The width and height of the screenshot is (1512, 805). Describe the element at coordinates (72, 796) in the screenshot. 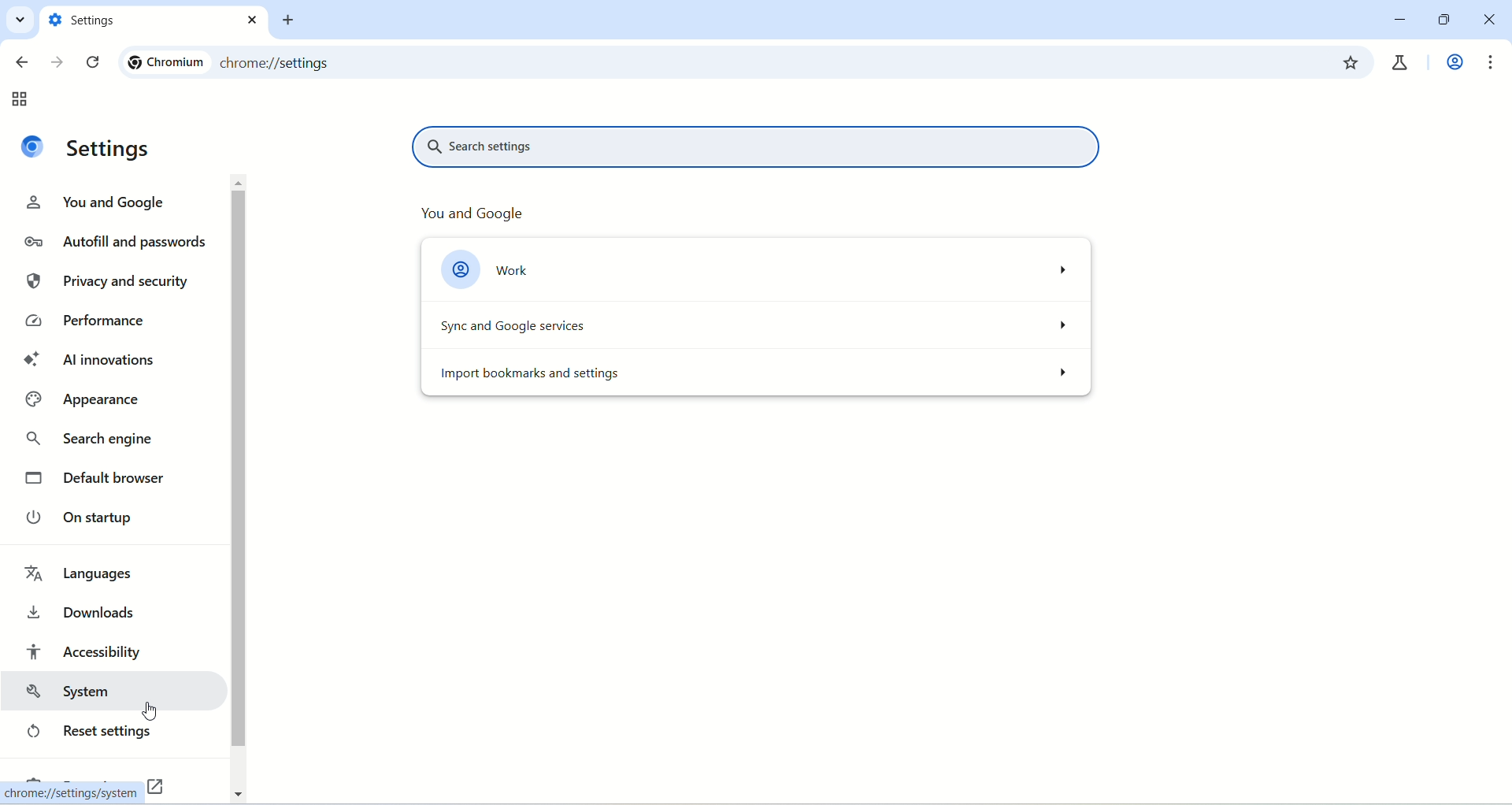

I see `chrome://settings/system` at that location.